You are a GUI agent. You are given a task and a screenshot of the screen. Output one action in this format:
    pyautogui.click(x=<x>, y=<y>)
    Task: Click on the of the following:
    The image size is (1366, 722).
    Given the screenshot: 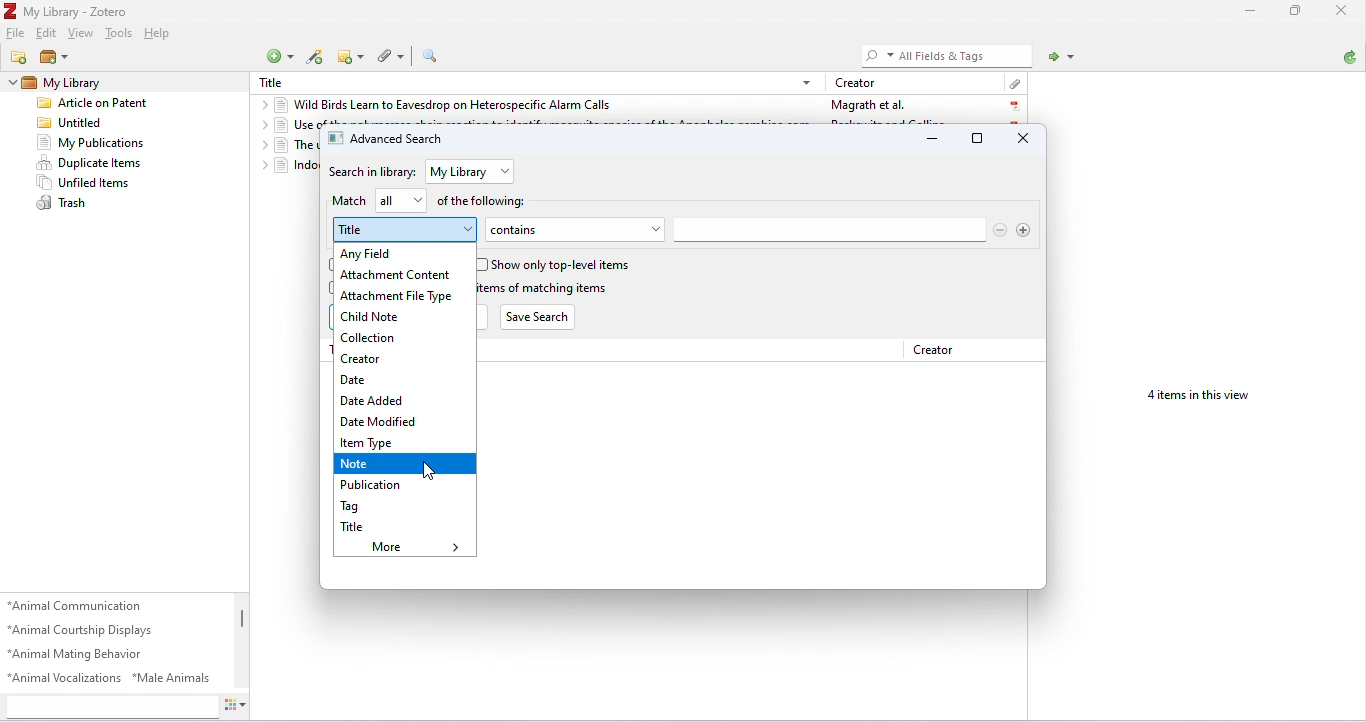 What is the action you would take?
    pyautogui.click(x=486, y=202)
    